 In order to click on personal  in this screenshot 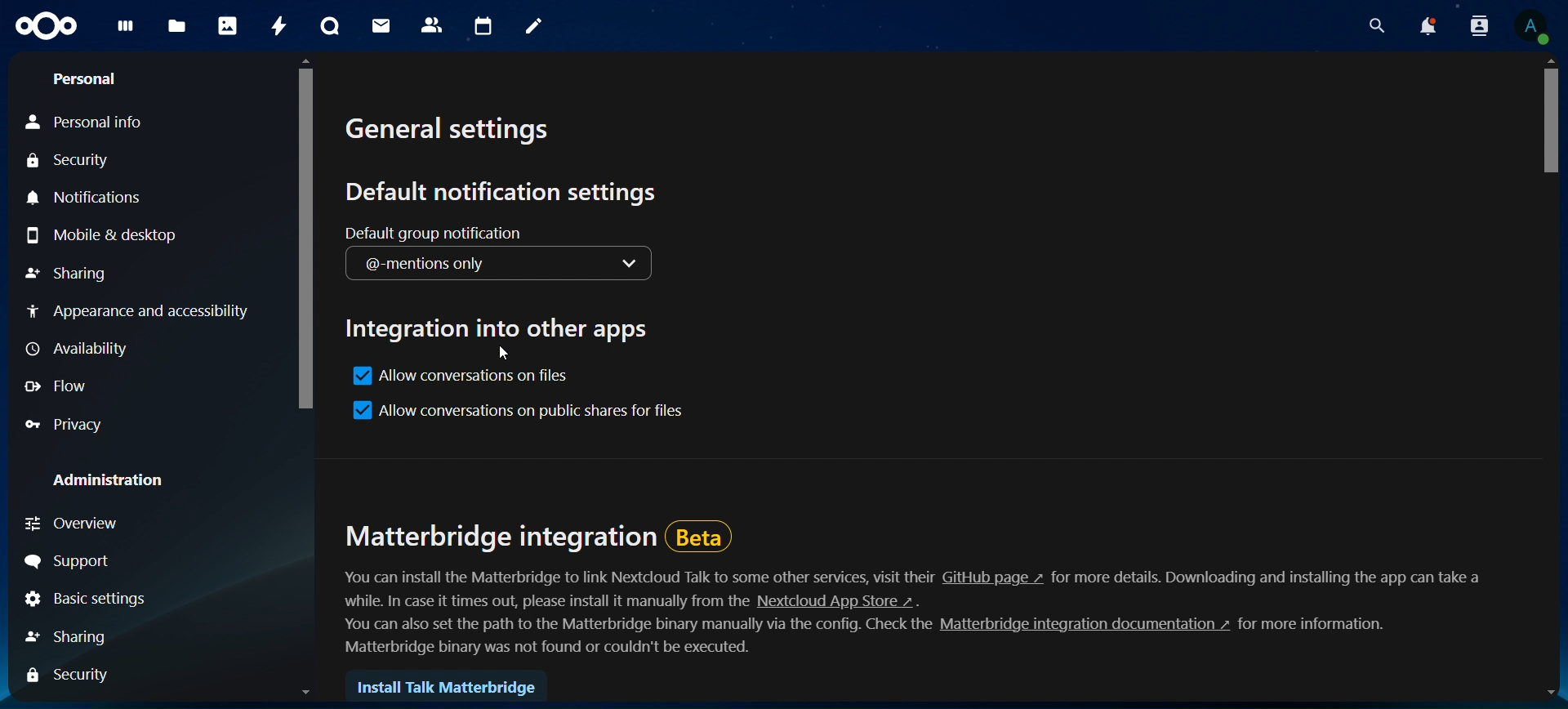, I will do `click(85, 78)`.